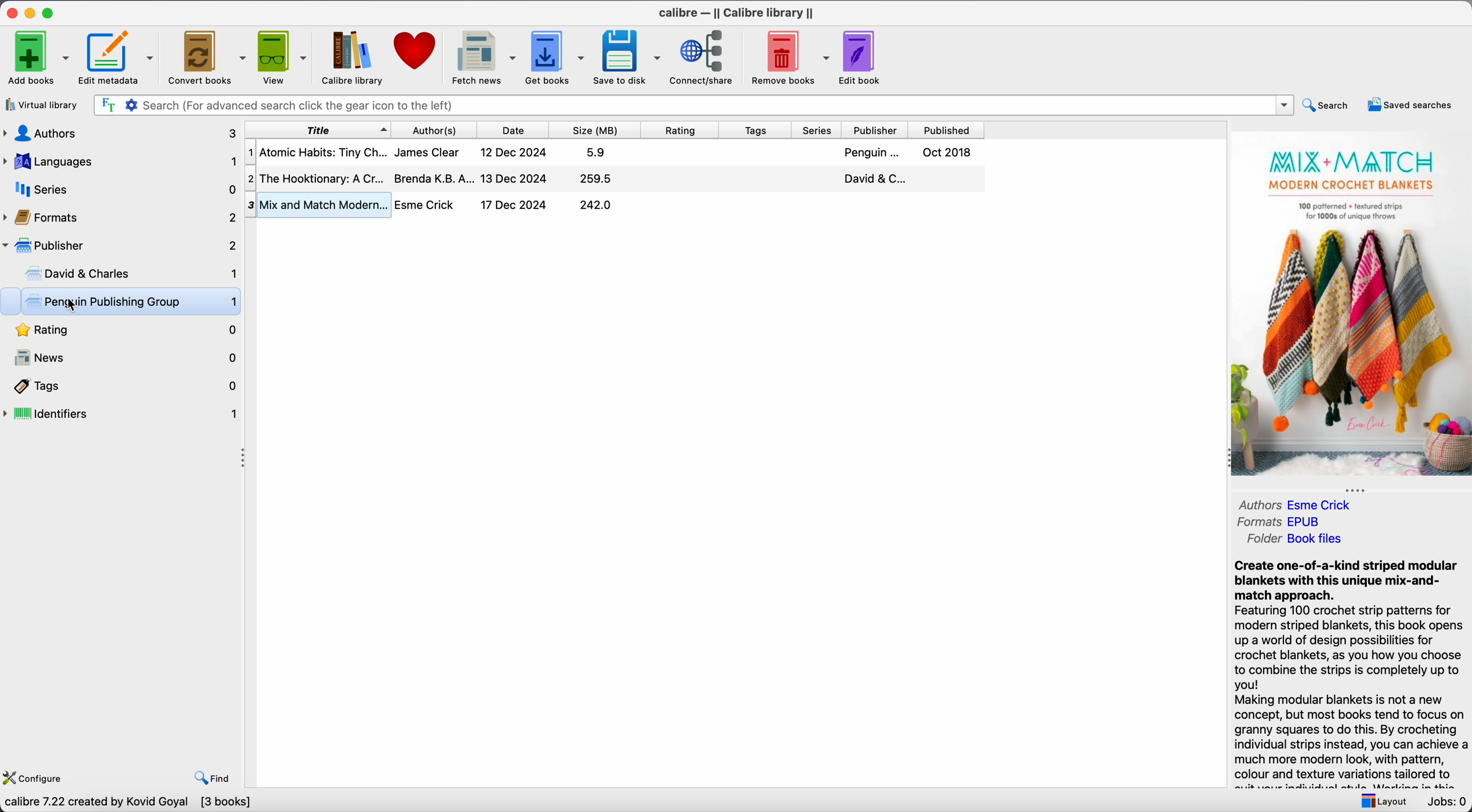 This screenshot has height=812, width=1472. Describe the element at coordinates (1445, 802) in the screenshot. I see `Jobs: 0` at that location.